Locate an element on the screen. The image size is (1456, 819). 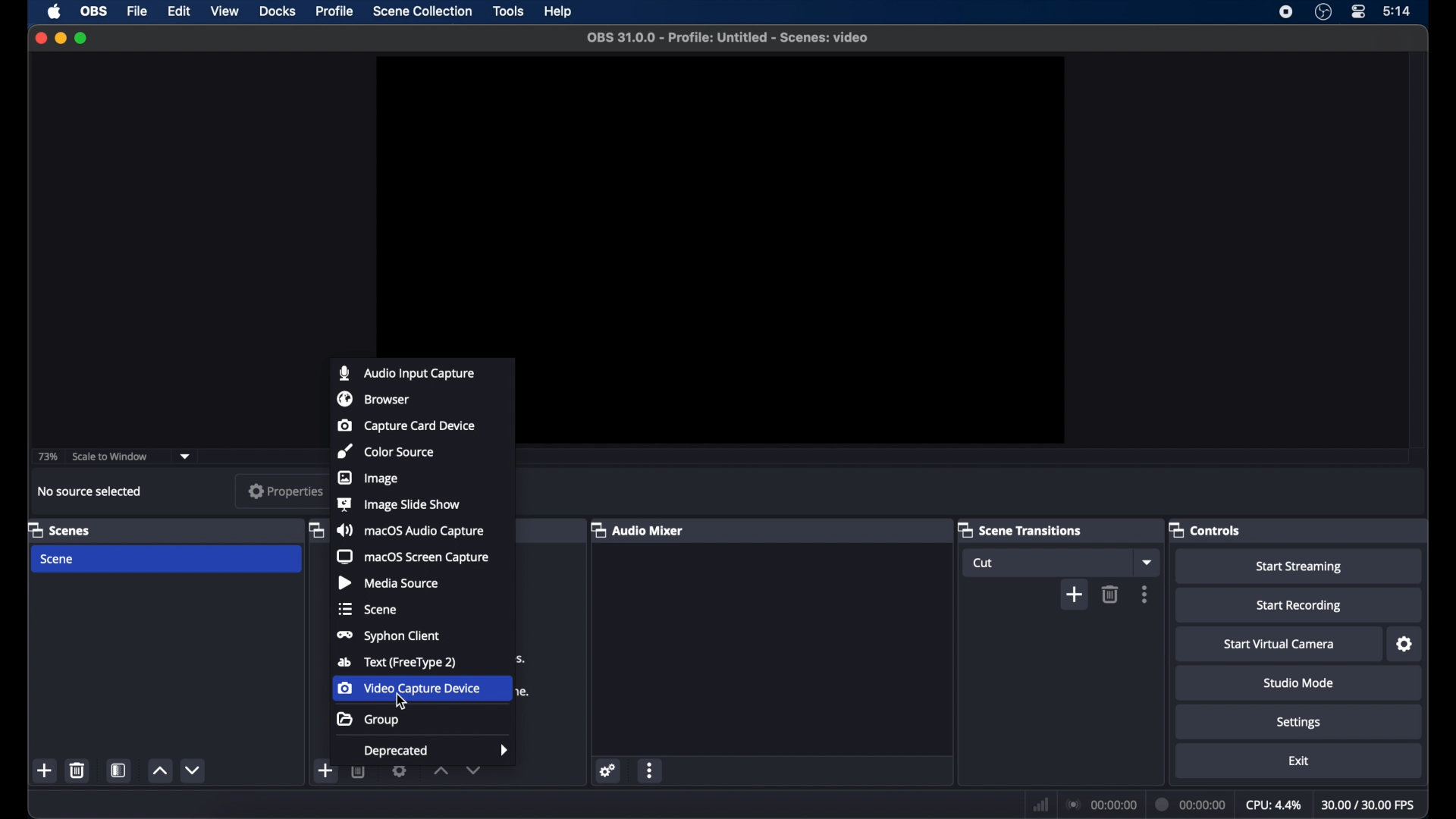
cut is located at coordinates (986, 563).